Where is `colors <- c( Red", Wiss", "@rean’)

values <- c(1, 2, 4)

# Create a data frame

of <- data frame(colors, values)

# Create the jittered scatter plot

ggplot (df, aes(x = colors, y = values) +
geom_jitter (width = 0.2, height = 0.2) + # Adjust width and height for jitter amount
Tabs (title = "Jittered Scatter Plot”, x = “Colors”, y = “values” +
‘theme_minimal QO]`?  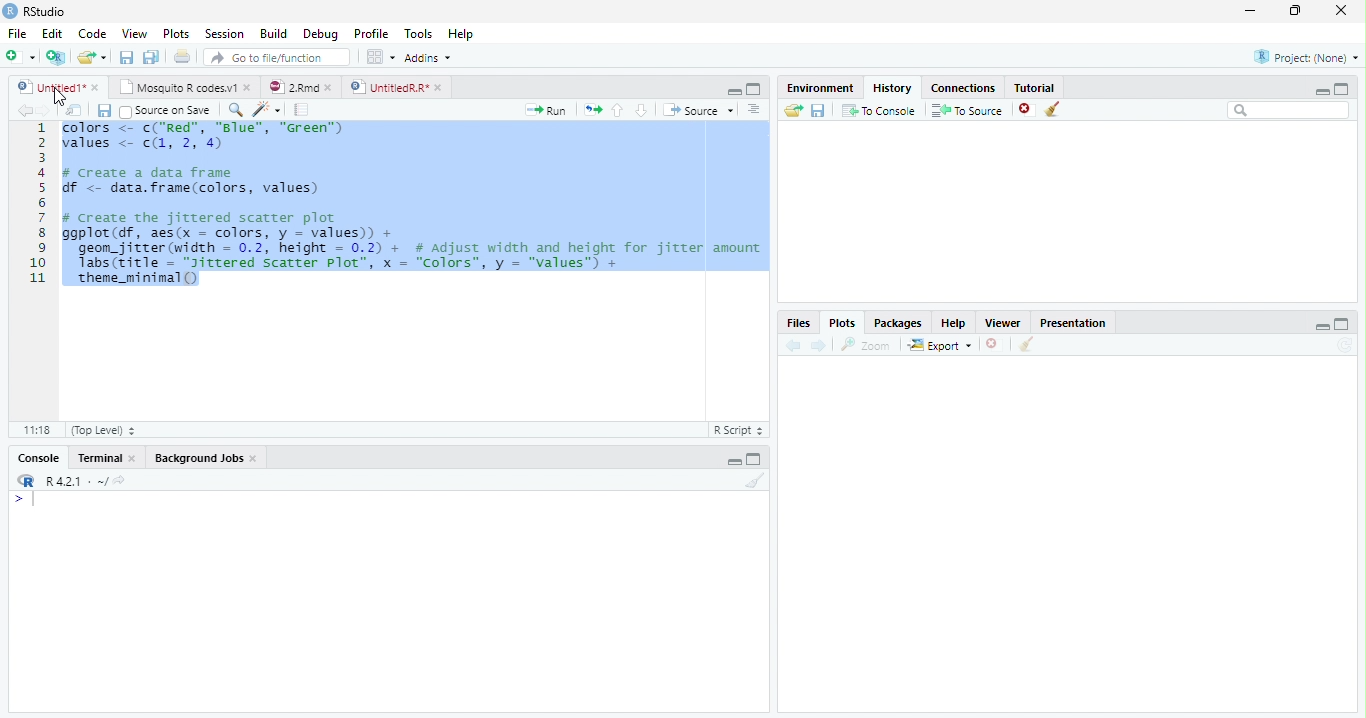
colors <- c( Red", Wiss", "@rean’)

values <- c(1, 2, 4)

# Create a data frame

of <- data frame(colors, values)

# Create the jittered scatter plot

ggplot (df, aes(x = colors, y = values) +
geom_jitter (width = 0.2, height = 0.2) + # Adjust width and height for jitter amount
Tabs (title = "Jittered Scatter Plot”, x = “Colors”, y = “values” +
‘theme_minimal QO] is located at coordinates (413, 206).